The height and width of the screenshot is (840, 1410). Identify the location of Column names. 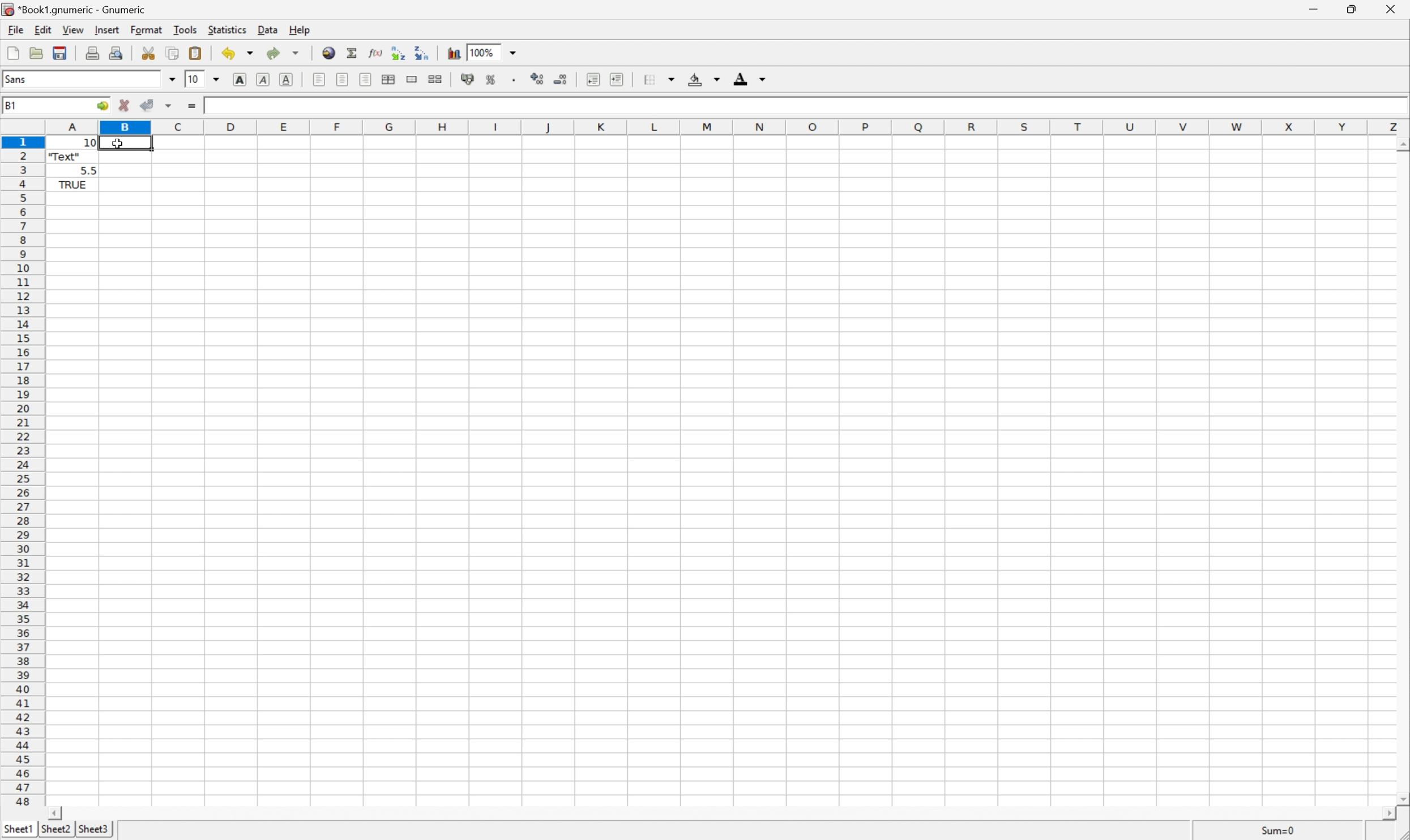
(727, 126).